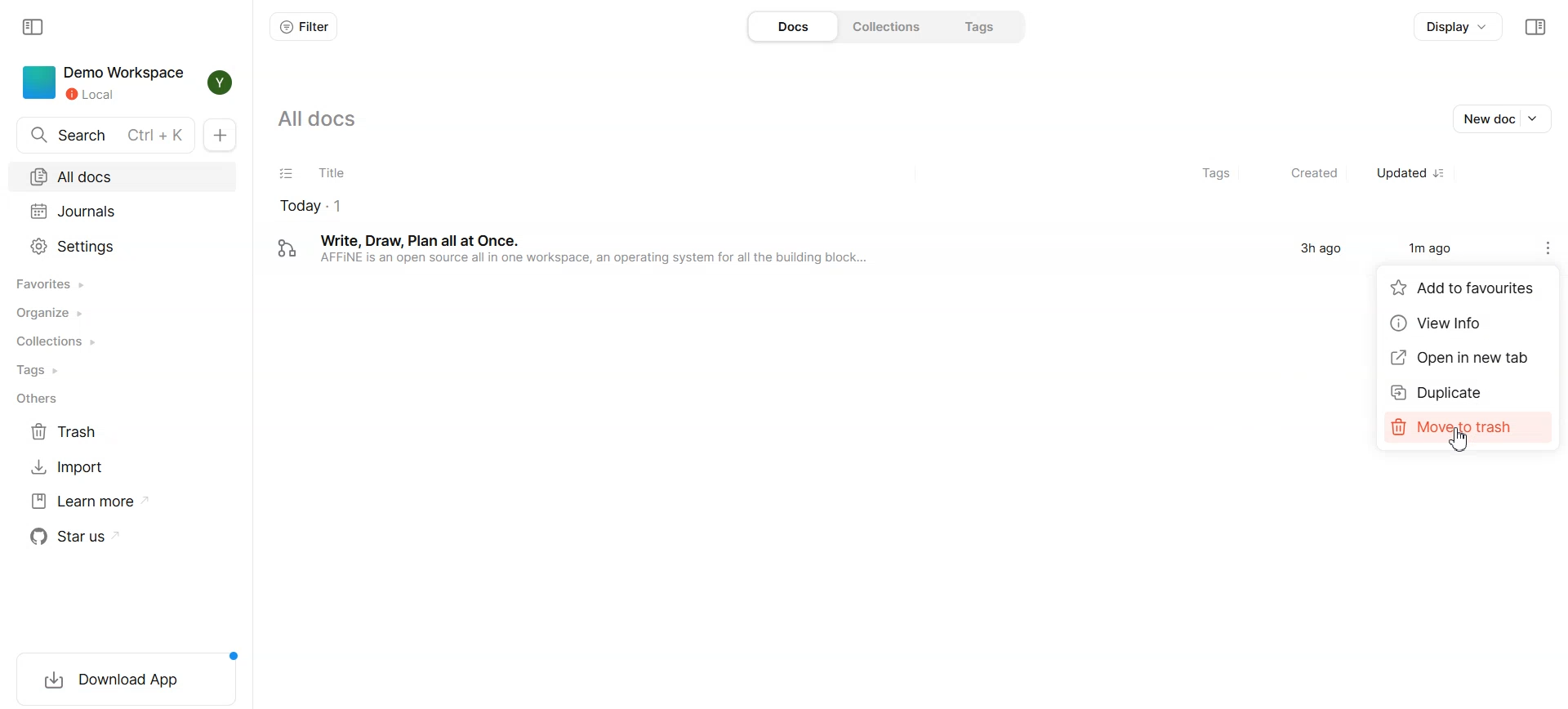 The height and width of the screenshot is (709, 1568). Describe the element at coordinates (987, 26) in the screenshot. I see `Tags` at that location.